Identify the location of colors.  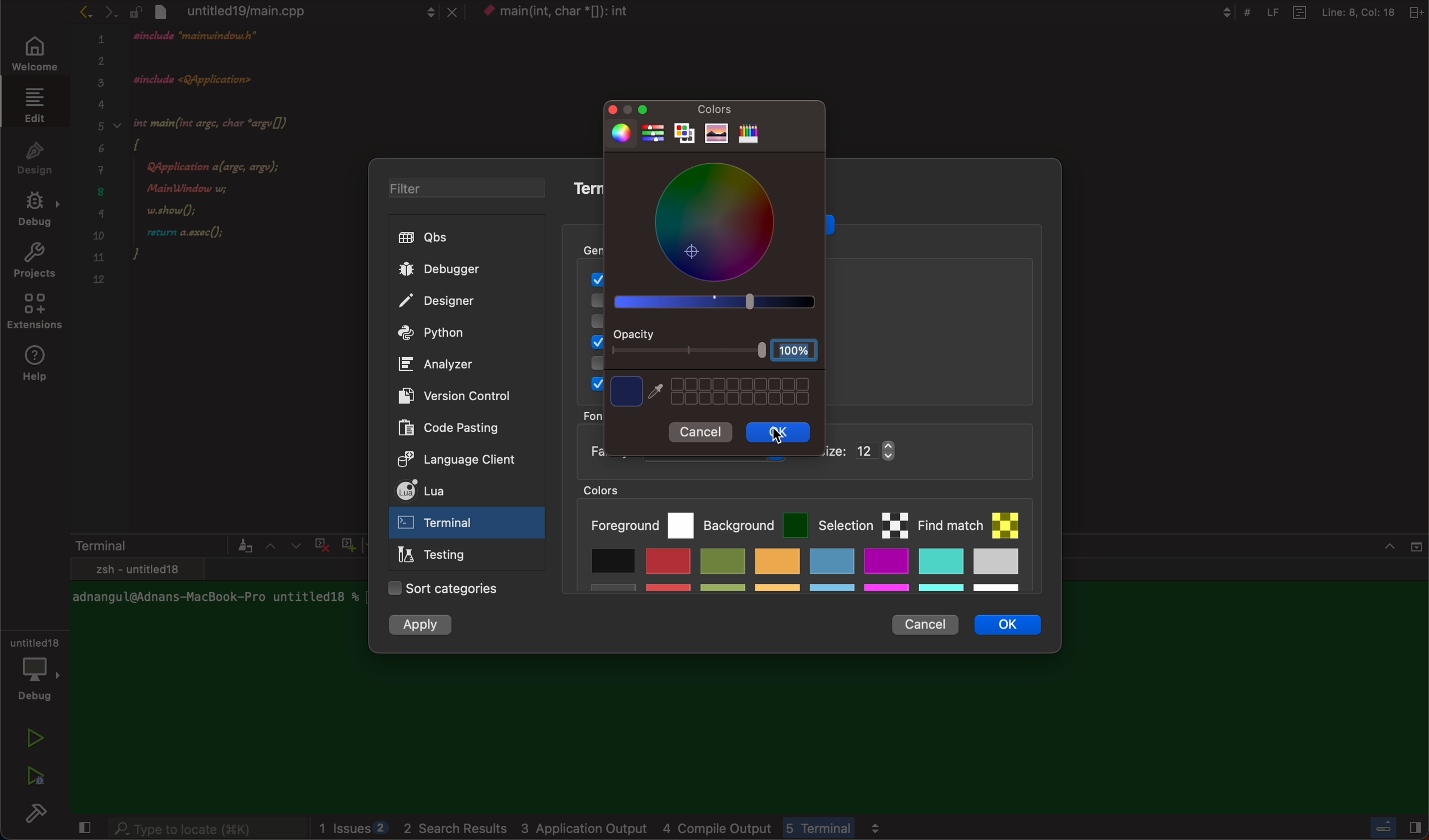
(712, 108).